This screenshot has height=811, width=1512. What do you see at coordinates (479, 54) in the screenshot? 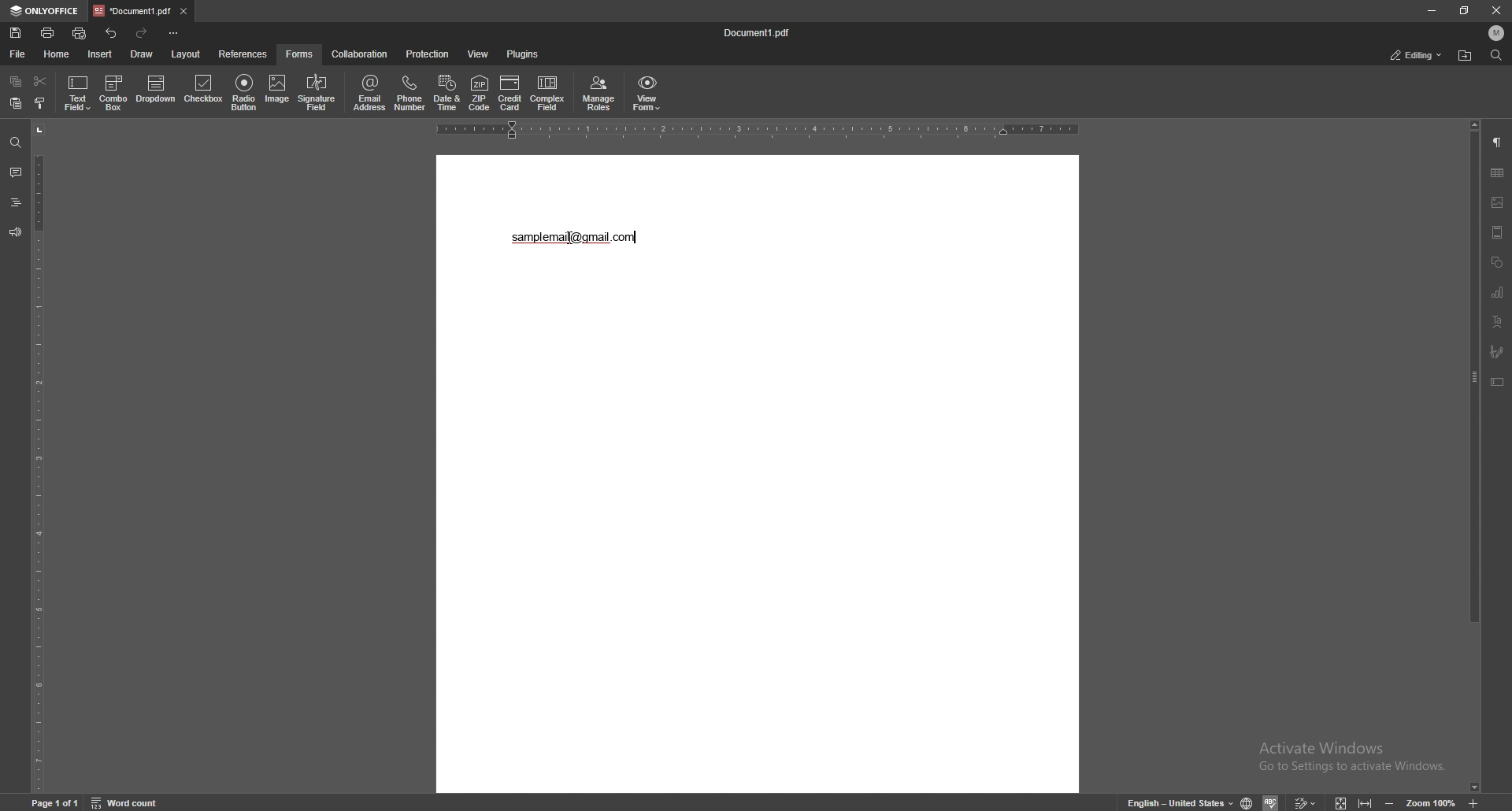
I see `view` at bounding box center [479, 54].